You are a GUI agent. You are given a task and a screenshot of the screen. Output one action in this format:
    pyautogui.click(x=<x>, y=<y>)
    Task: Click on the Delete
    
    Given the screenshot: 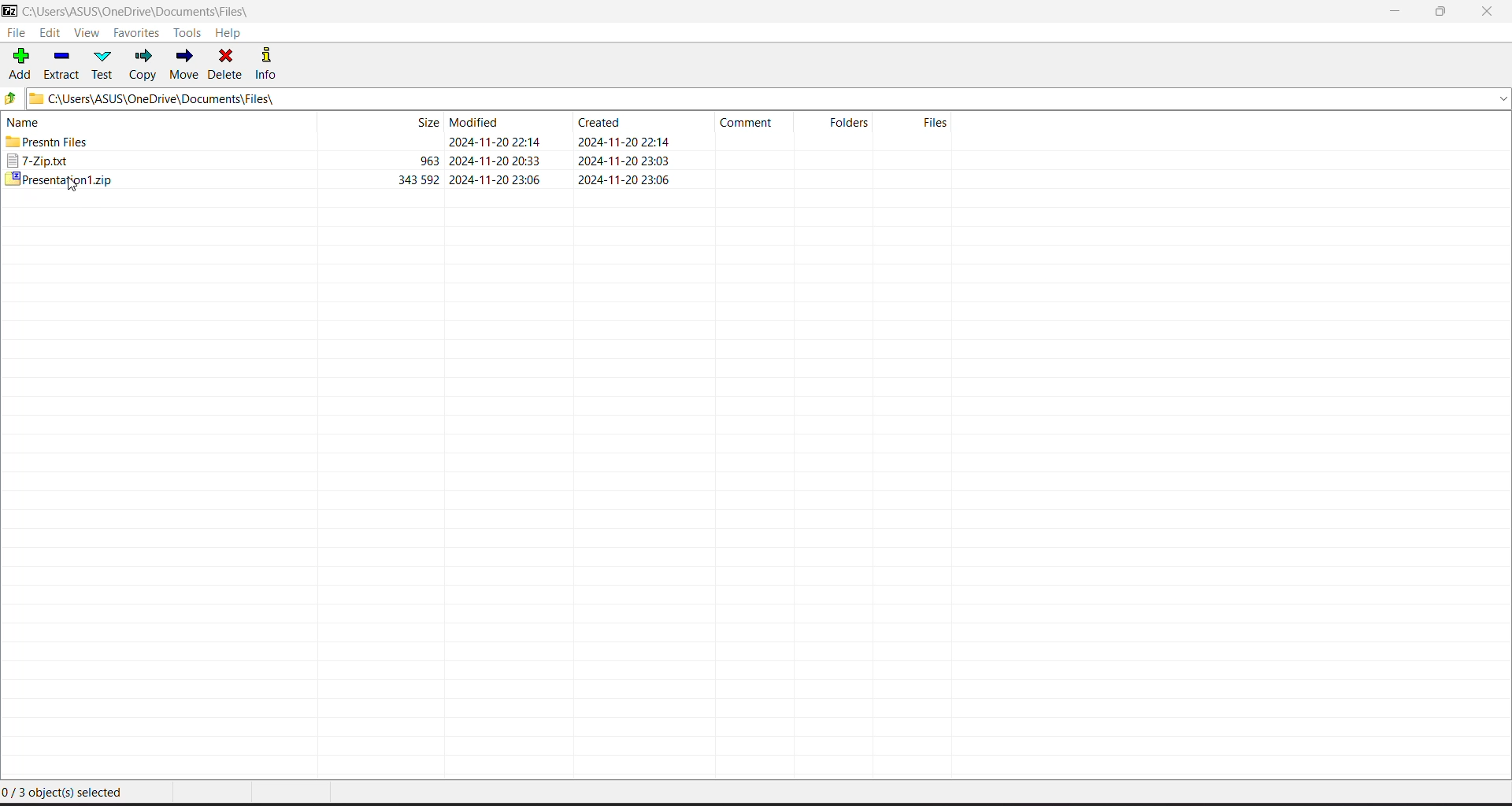 What is the action you would take?
    pyautogui.click(x=227, y=63)
    